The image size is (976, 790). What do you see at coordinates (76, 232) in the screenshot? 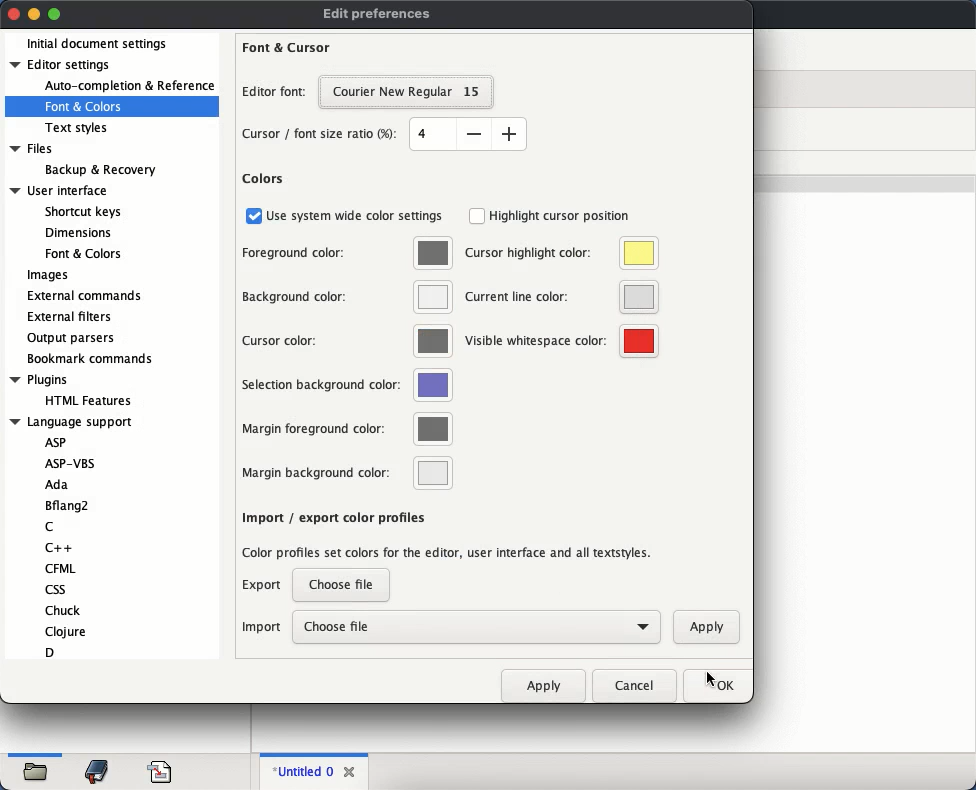
I see `dimensions` at bounding box center [76, 232].